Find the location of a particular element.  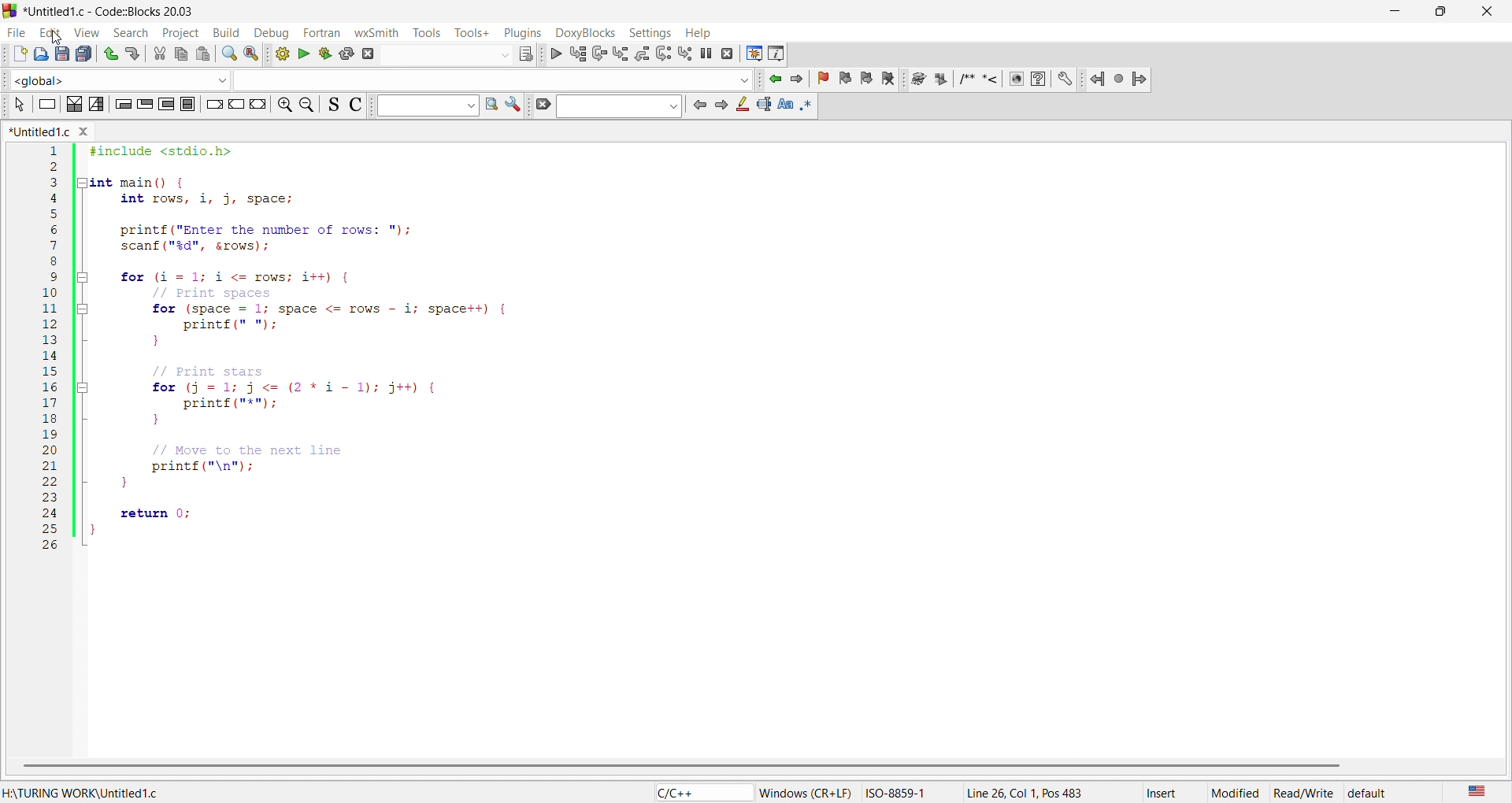

help is located at coordinates (702, 32).